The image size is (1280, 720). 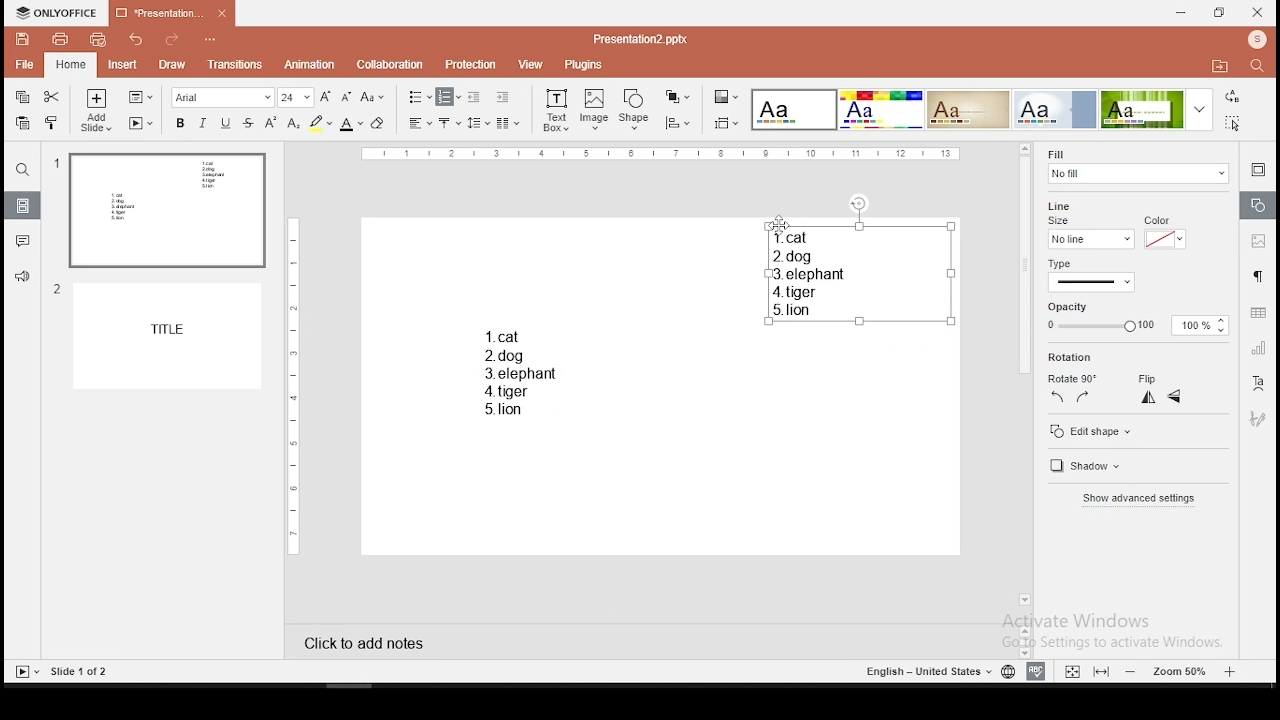 I want to click on highlight, so click(x=320, y=123).